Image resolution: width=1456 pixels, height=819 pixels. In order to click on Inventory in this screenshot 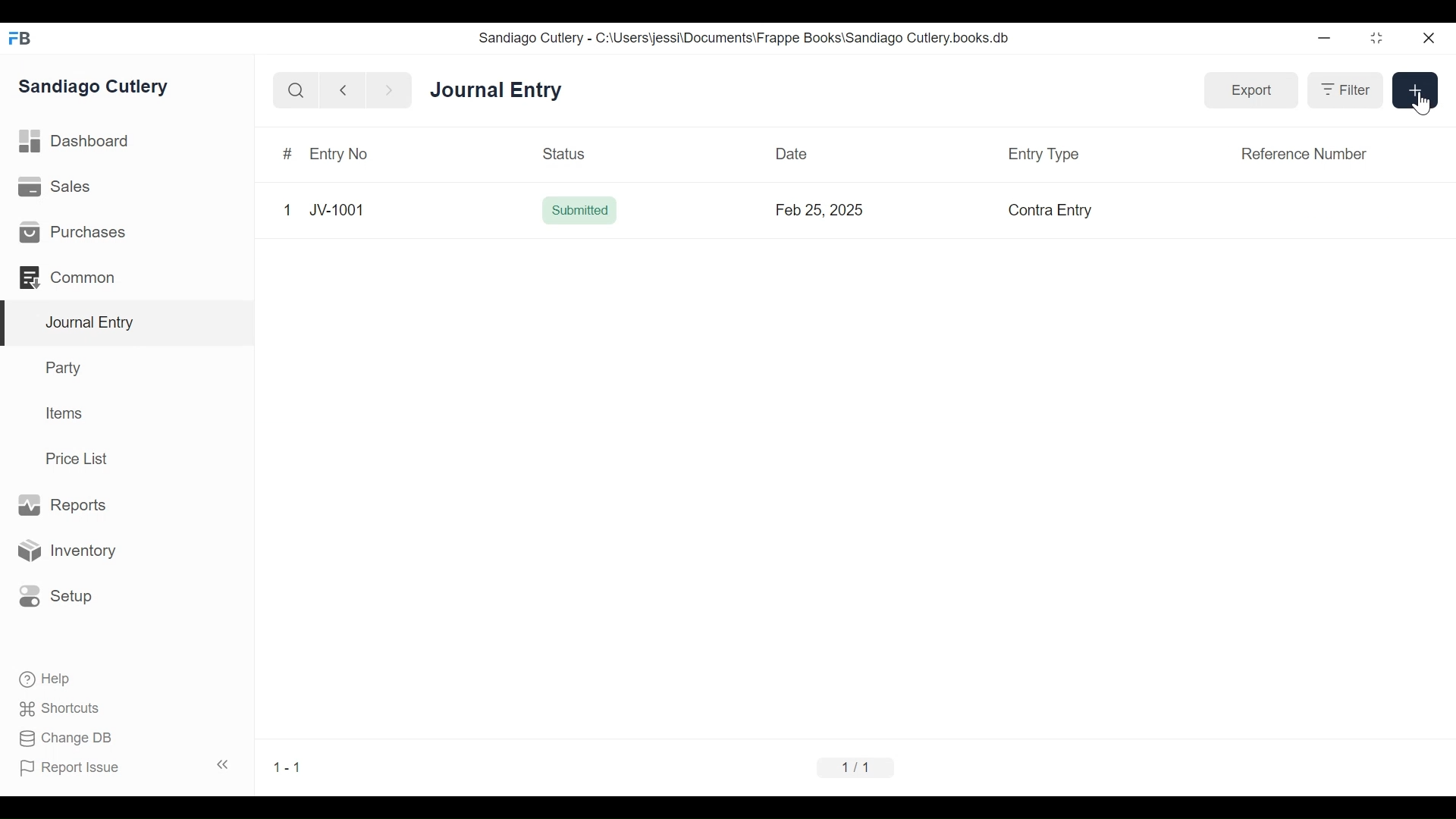, I will do `click(71, 550)`.